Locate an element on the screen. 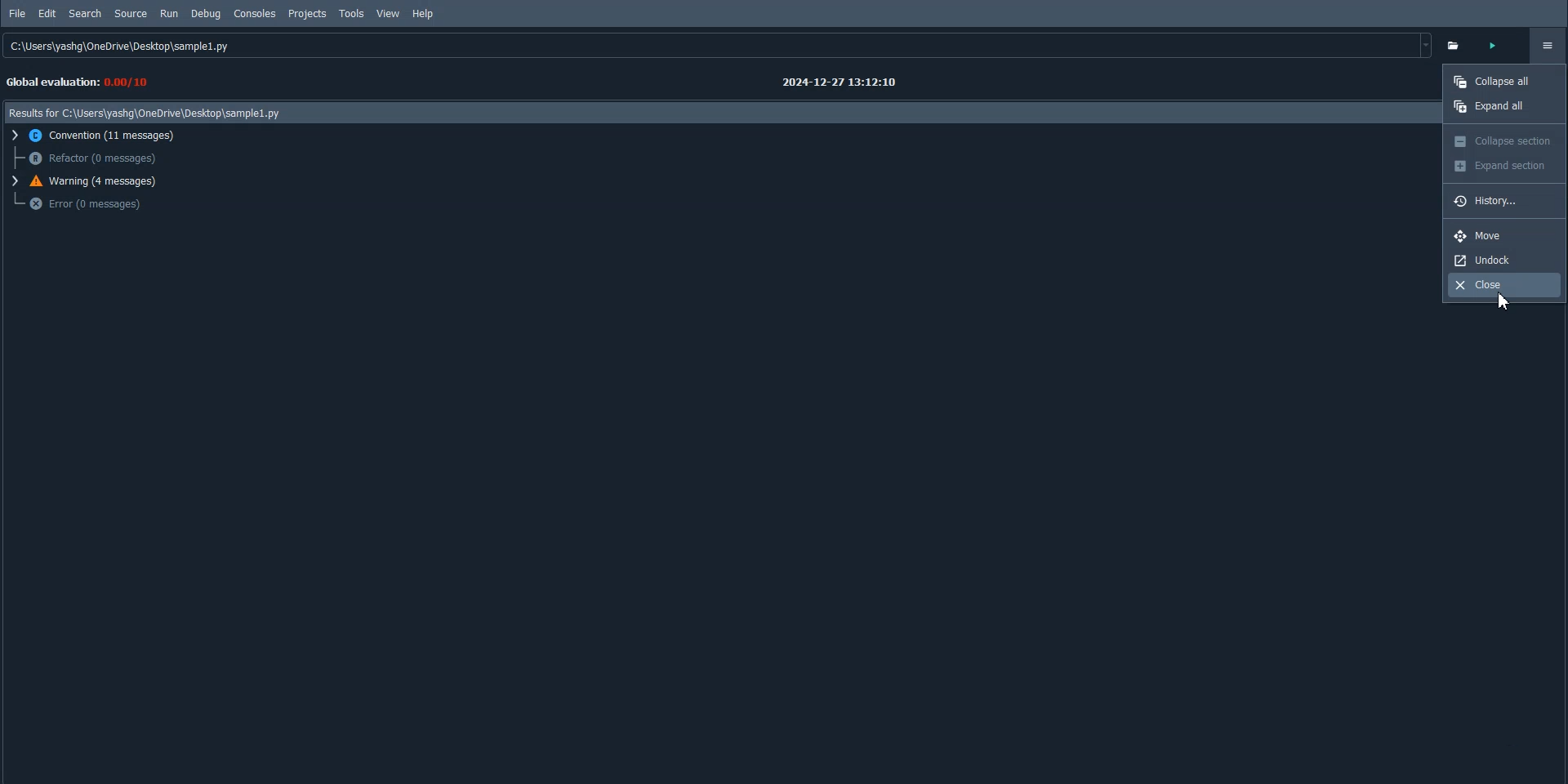 The image size is (1568, 784). Move is located at coordinates (1505, 236).